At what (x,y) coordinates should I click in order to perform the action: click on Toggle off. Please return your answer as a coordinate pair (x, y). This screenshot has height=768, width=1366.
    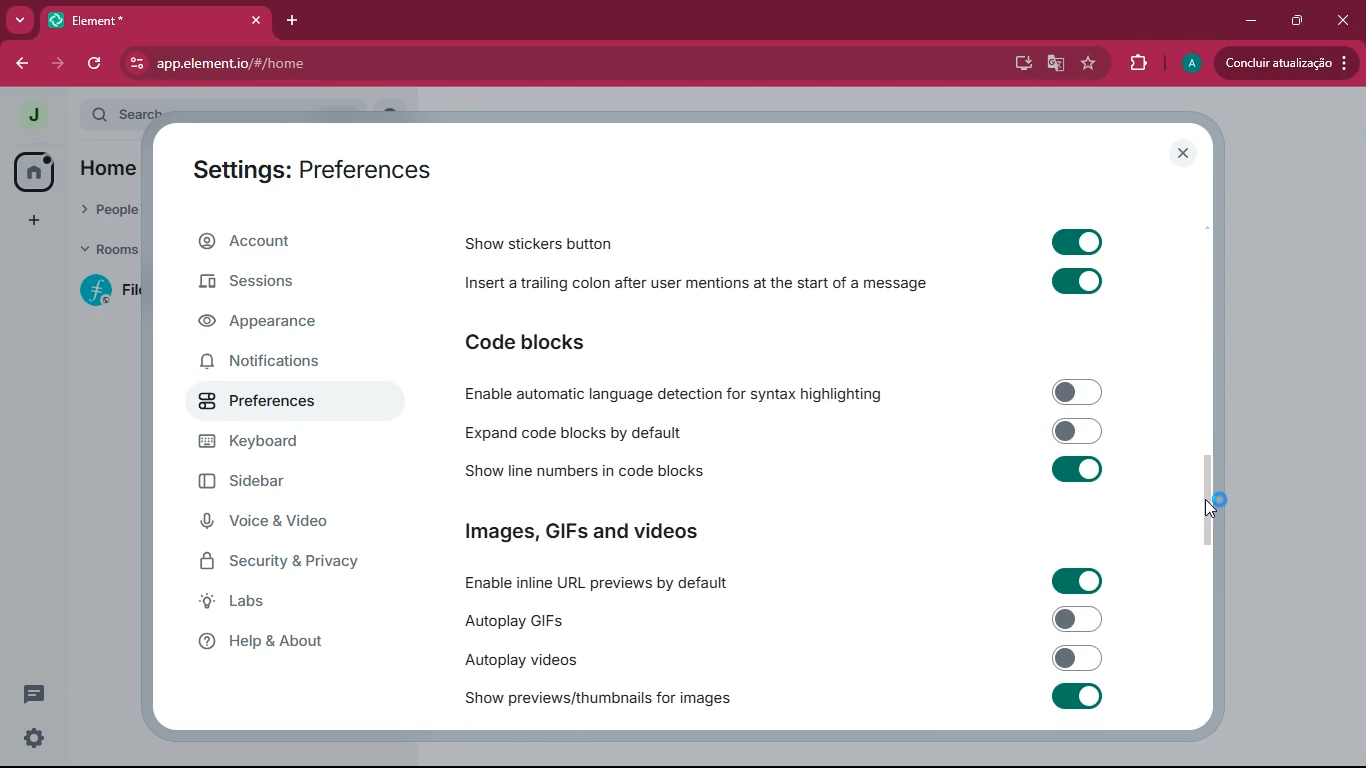
    Looking at the image, I should click on (1082, 619).